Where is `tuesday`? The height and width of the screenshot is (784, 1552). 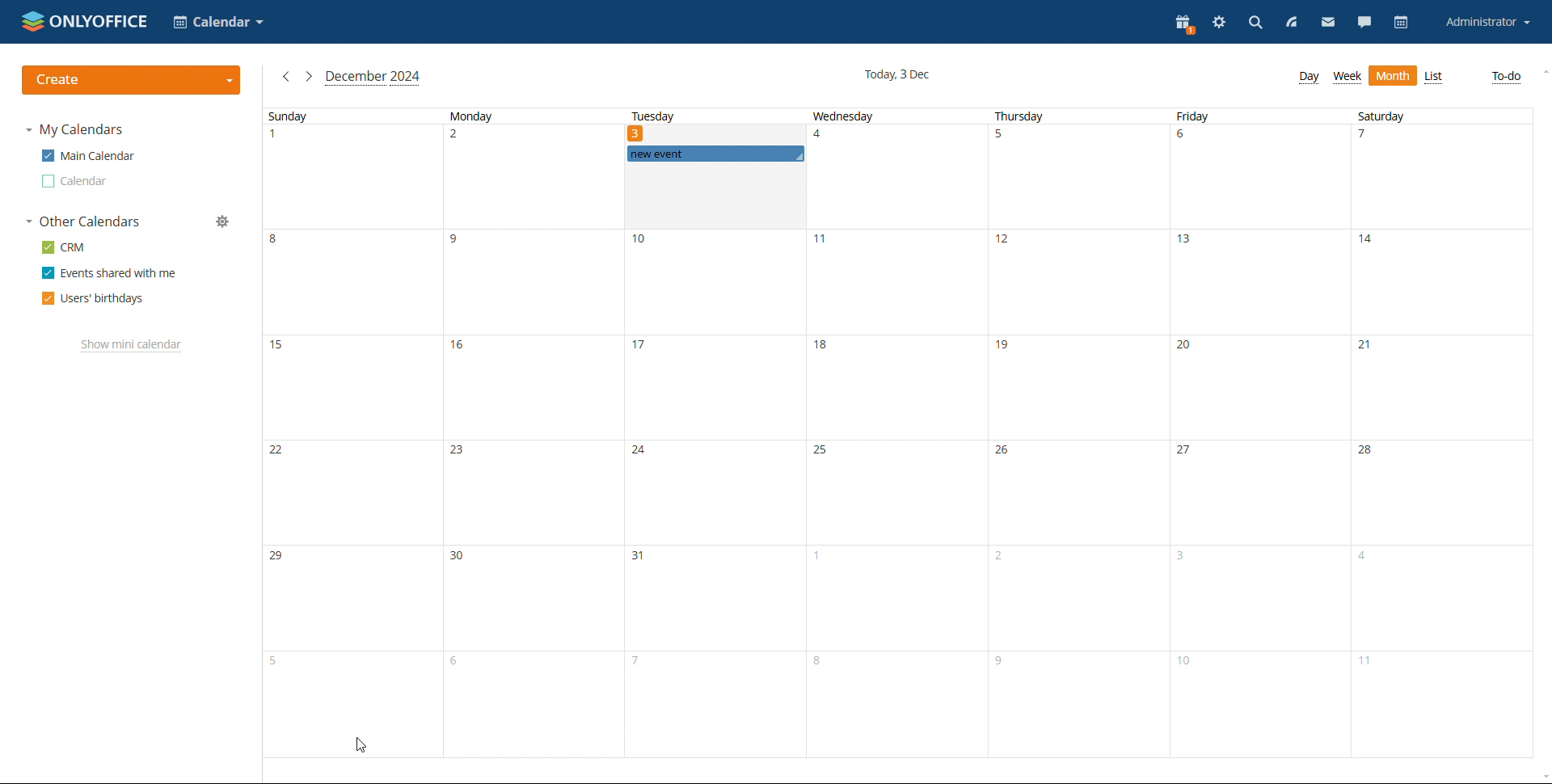 tuesday is located at coordinates (713, 487).